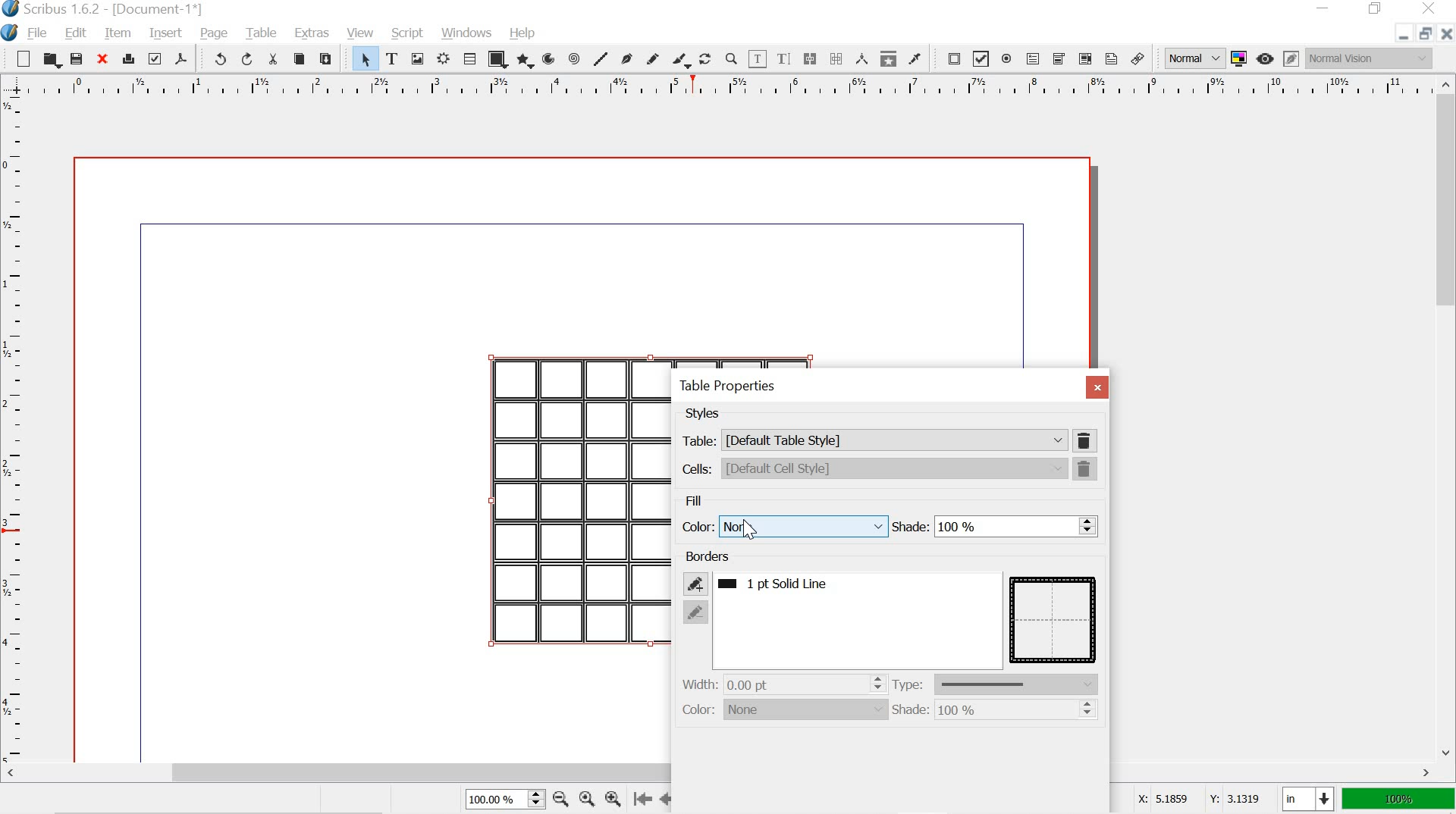 The width and height of the screenshot is (1456, 814). I want to click on remove border, so click(696, 612).